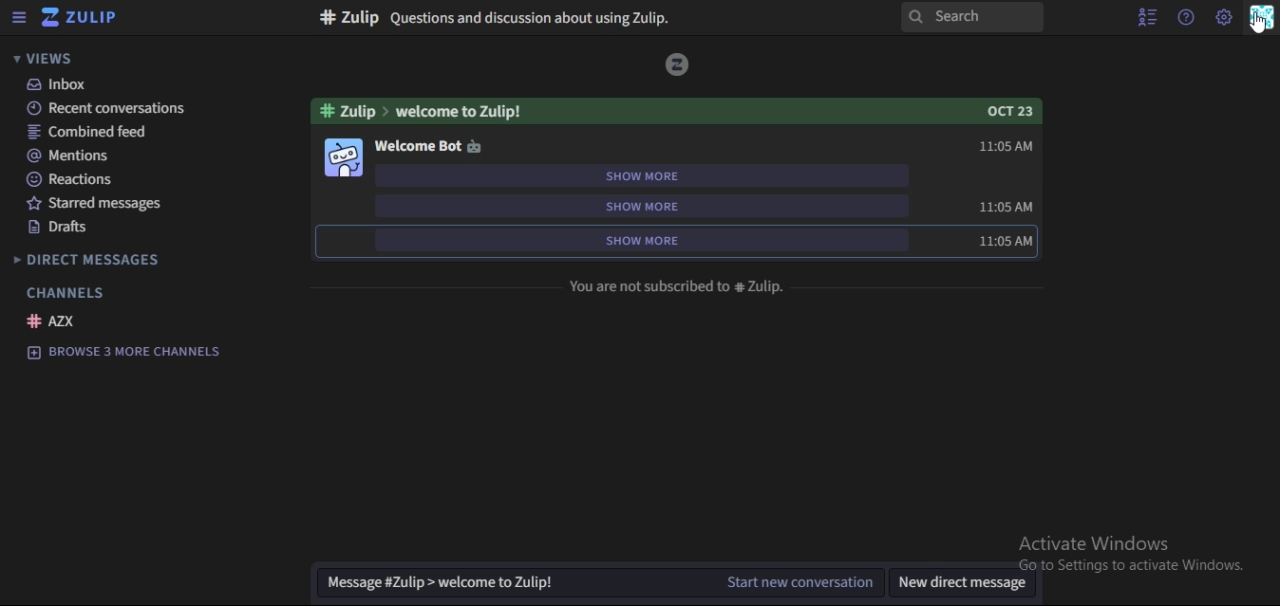 Image resolution: width=1280 pixels, height=606 pixels. Describe the element at coordinates (81, 85) in the screenshot. I see `inbox` at that location.